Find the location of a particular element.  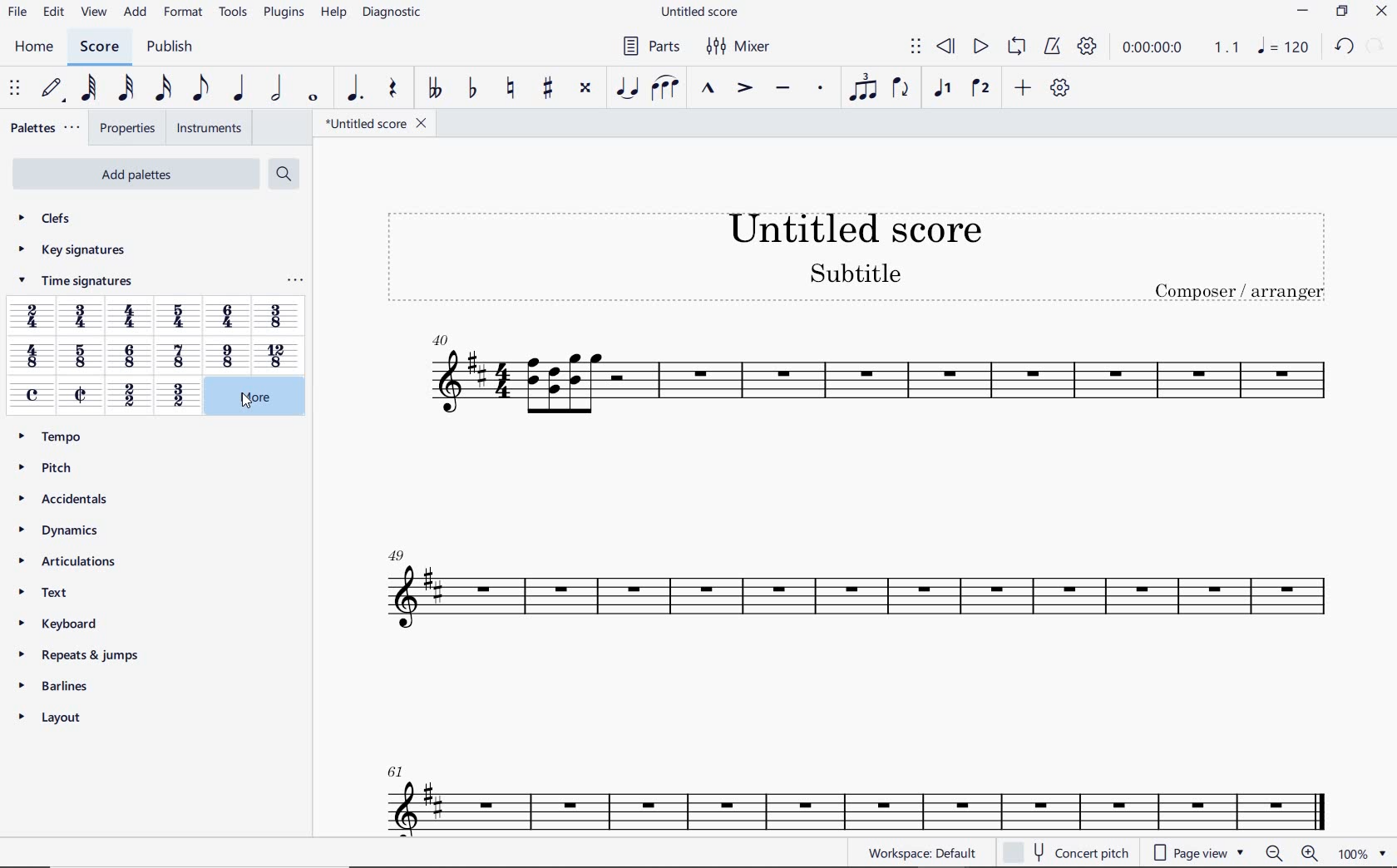

NOTE is located at coordinates (1282, 46).